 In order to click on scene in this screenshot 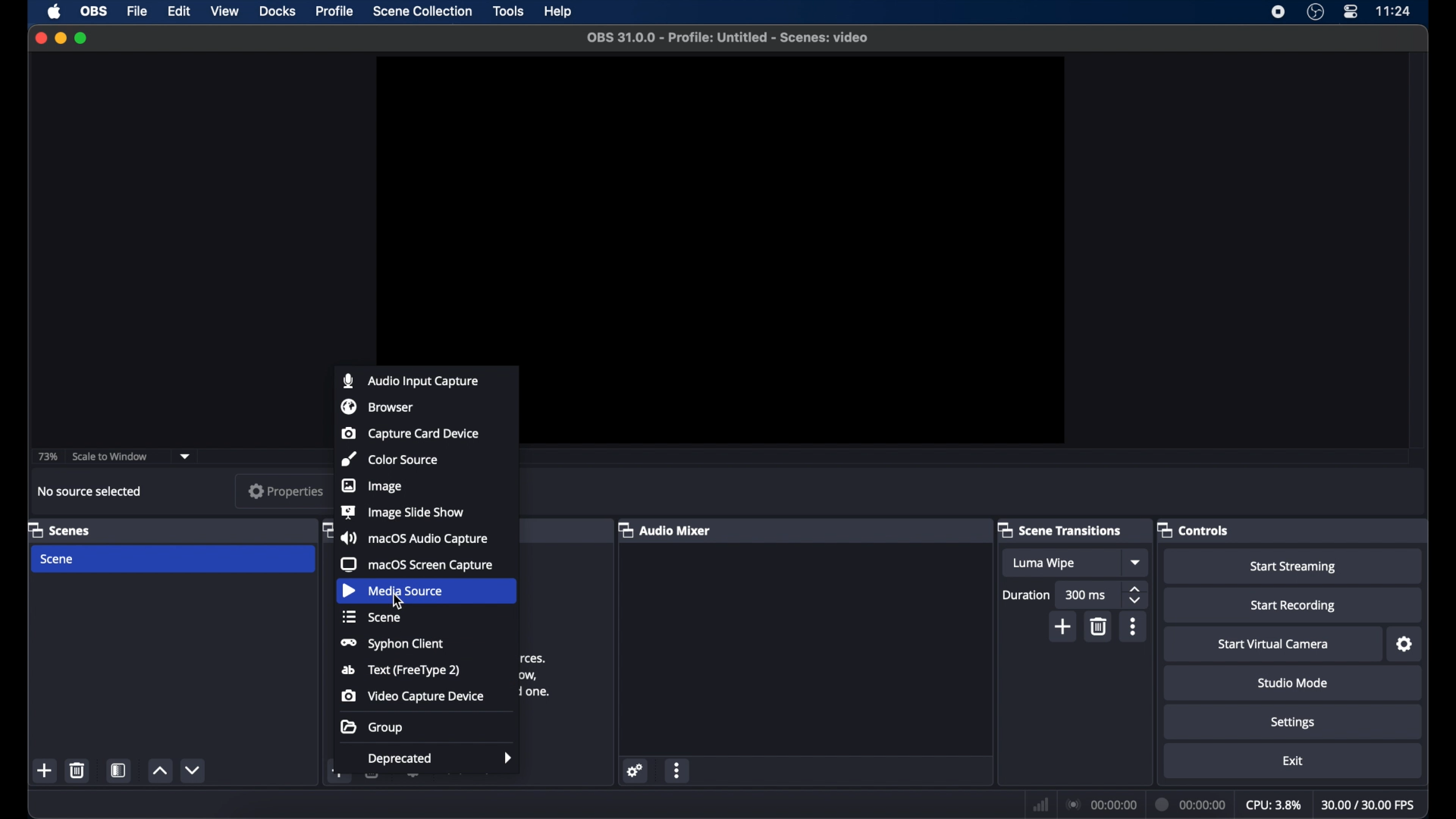, I will do `click(59, 560)`.